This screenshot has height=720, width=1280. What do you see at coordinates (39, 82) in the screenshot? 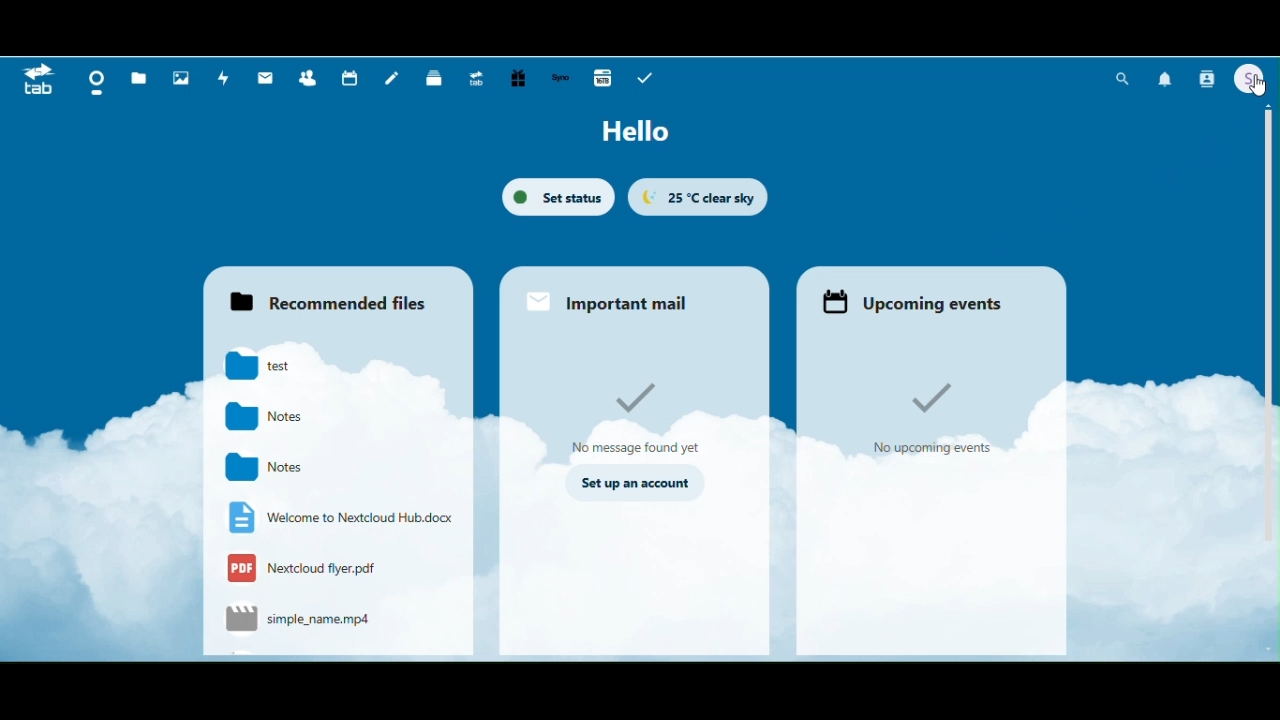
I see `tab` at bounding box center [39, 82].